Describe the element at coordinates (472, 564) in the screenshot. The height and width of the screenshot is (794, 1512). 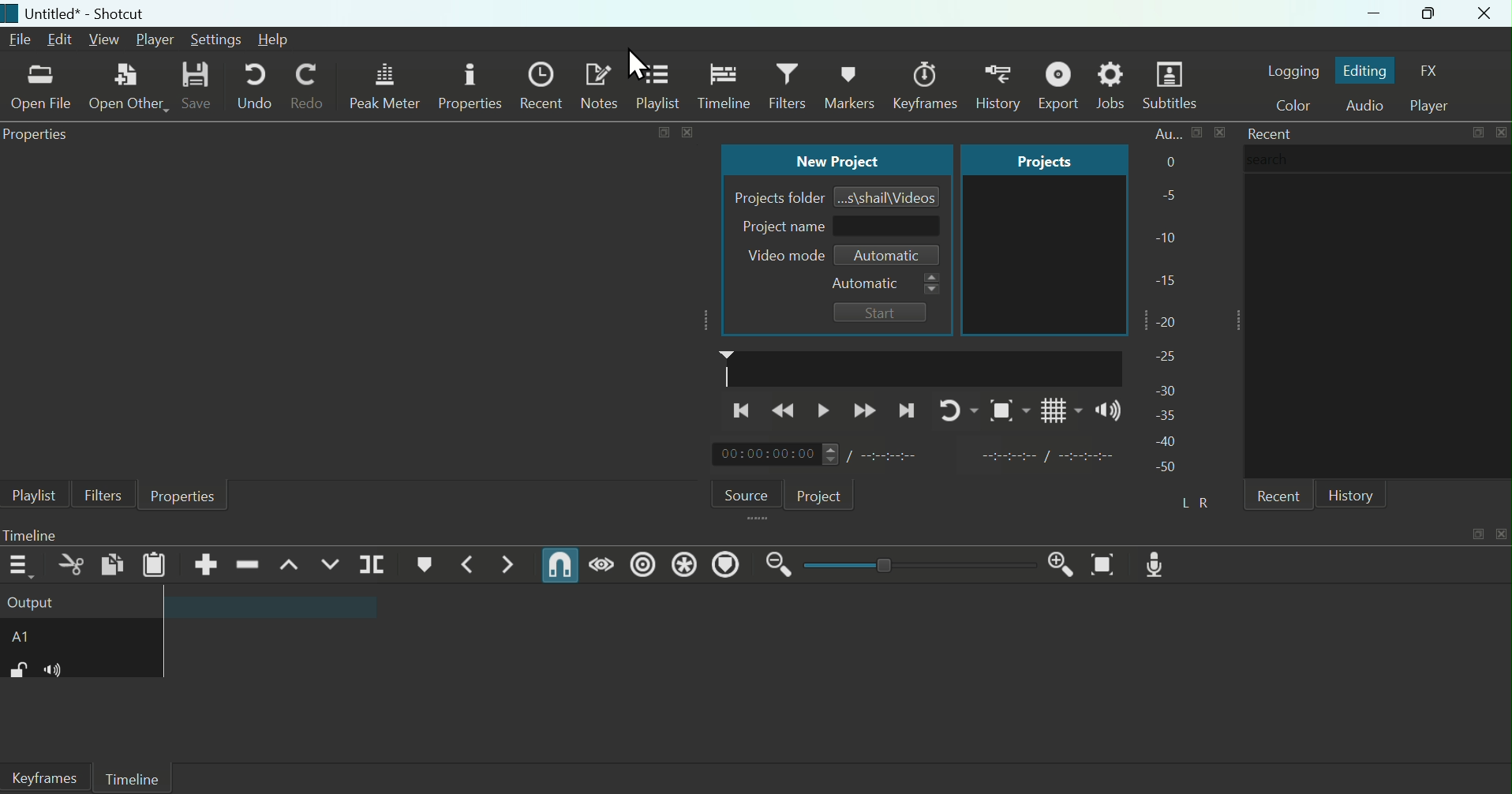
I see `Previous Marker` at that location.